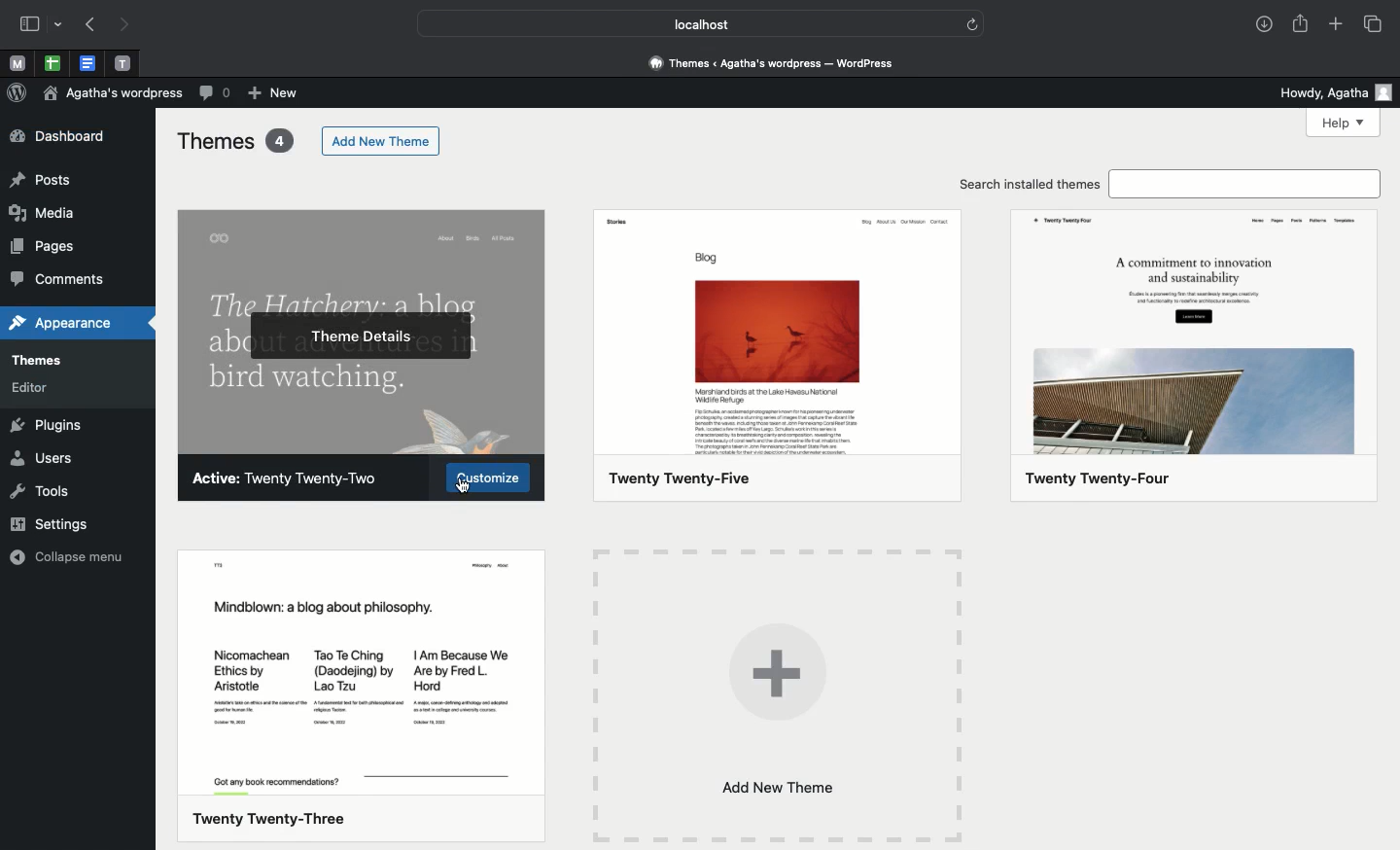  Describe the element at coordinates (1333, 91) in the screenshot. I see `Howdy user` at that location.